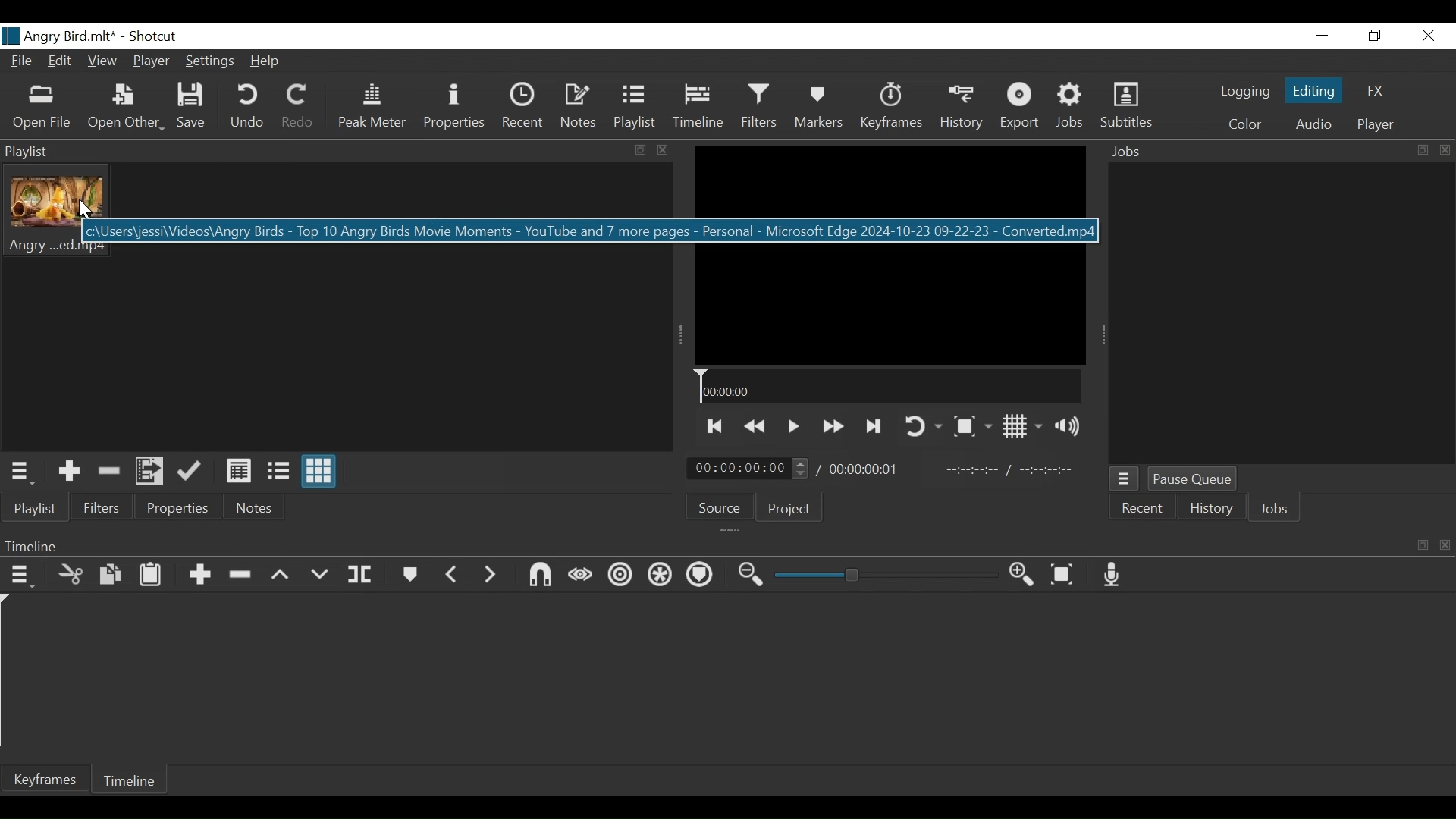  I want to click on Source, so click(718, 507).